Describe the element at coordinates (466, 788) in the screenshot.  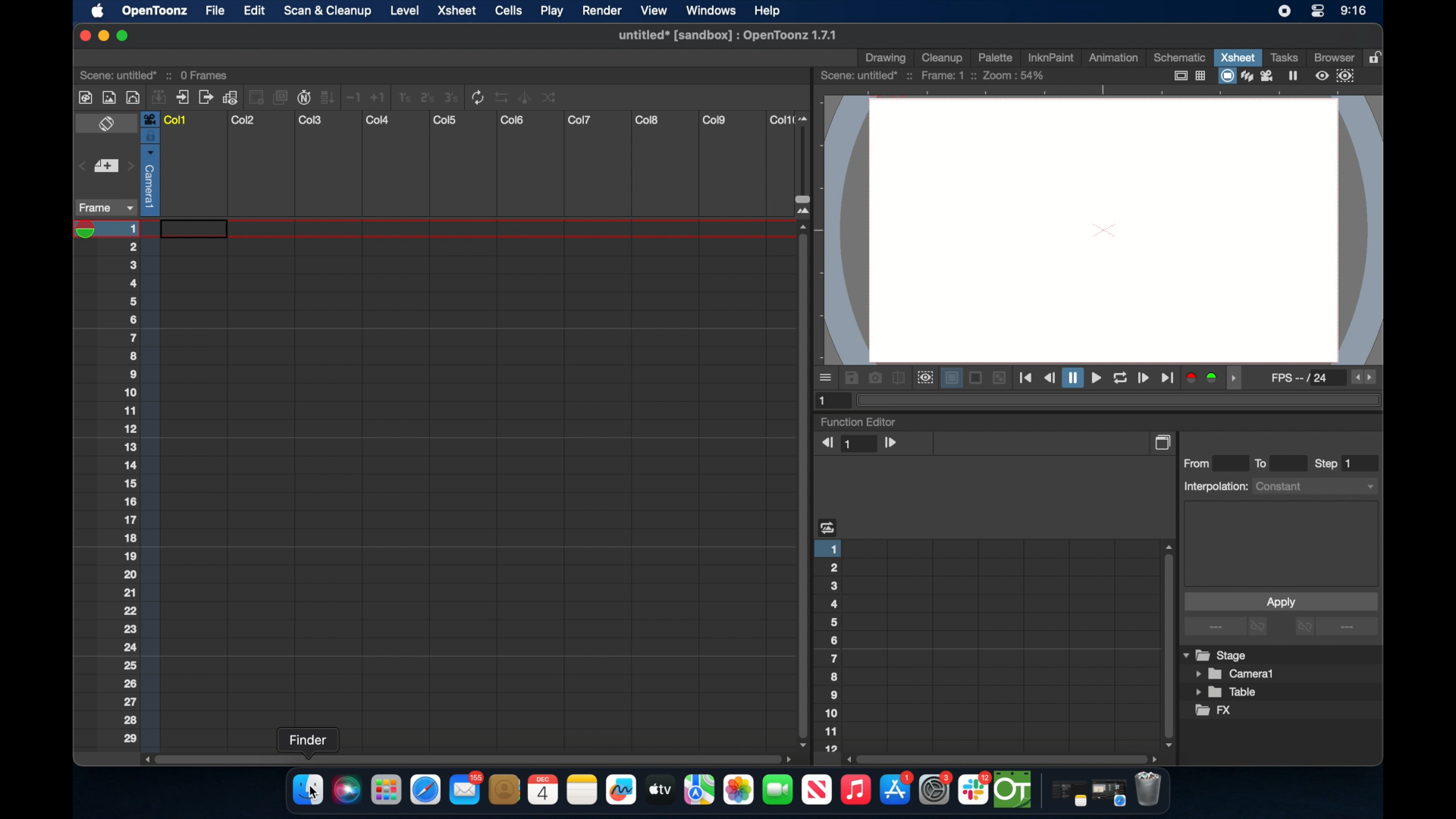
I see `mail` at that location.